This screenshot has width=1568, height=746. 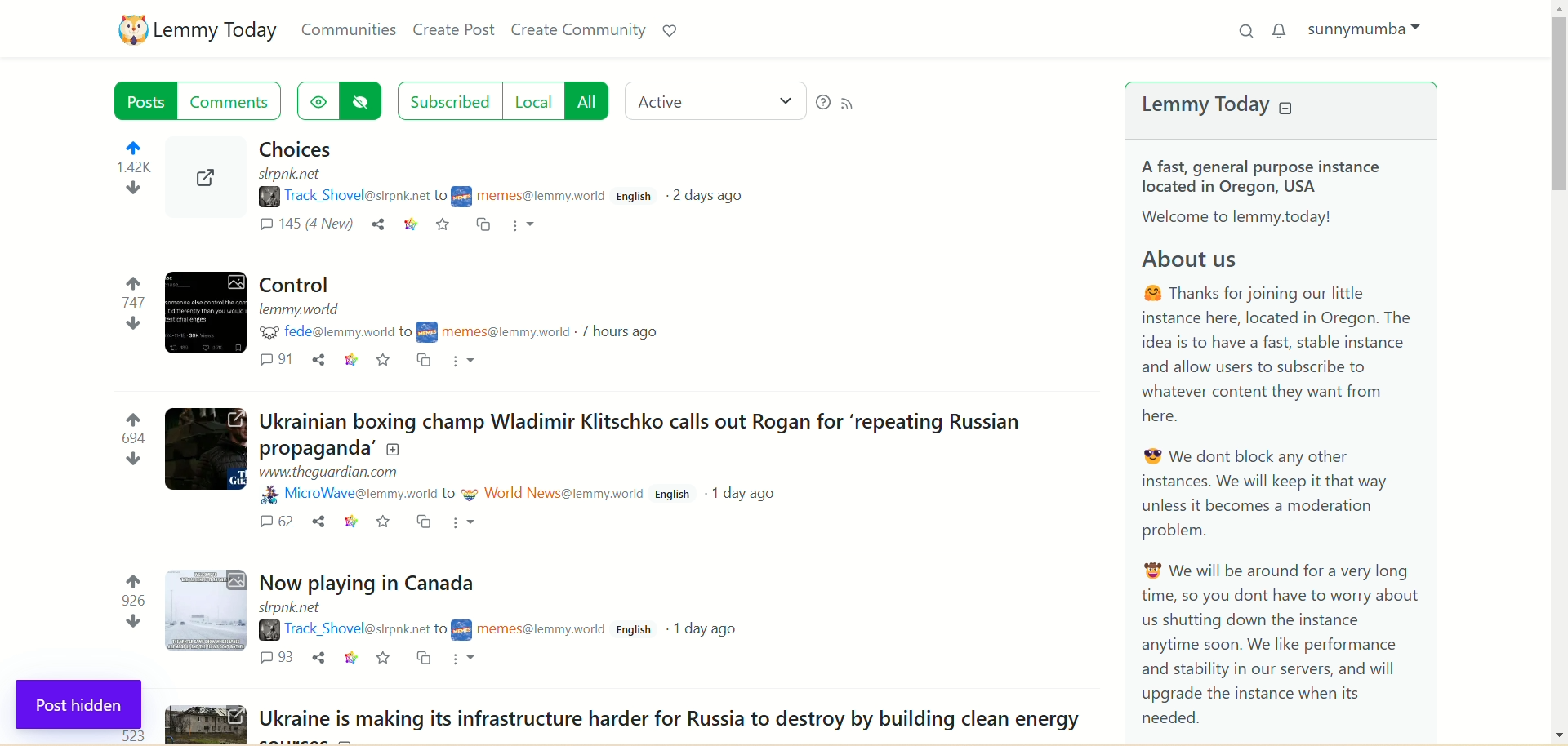 What do you see at coordinates (351, 362) in the screenshot?
I see `link` at bounding box center [351, 362].